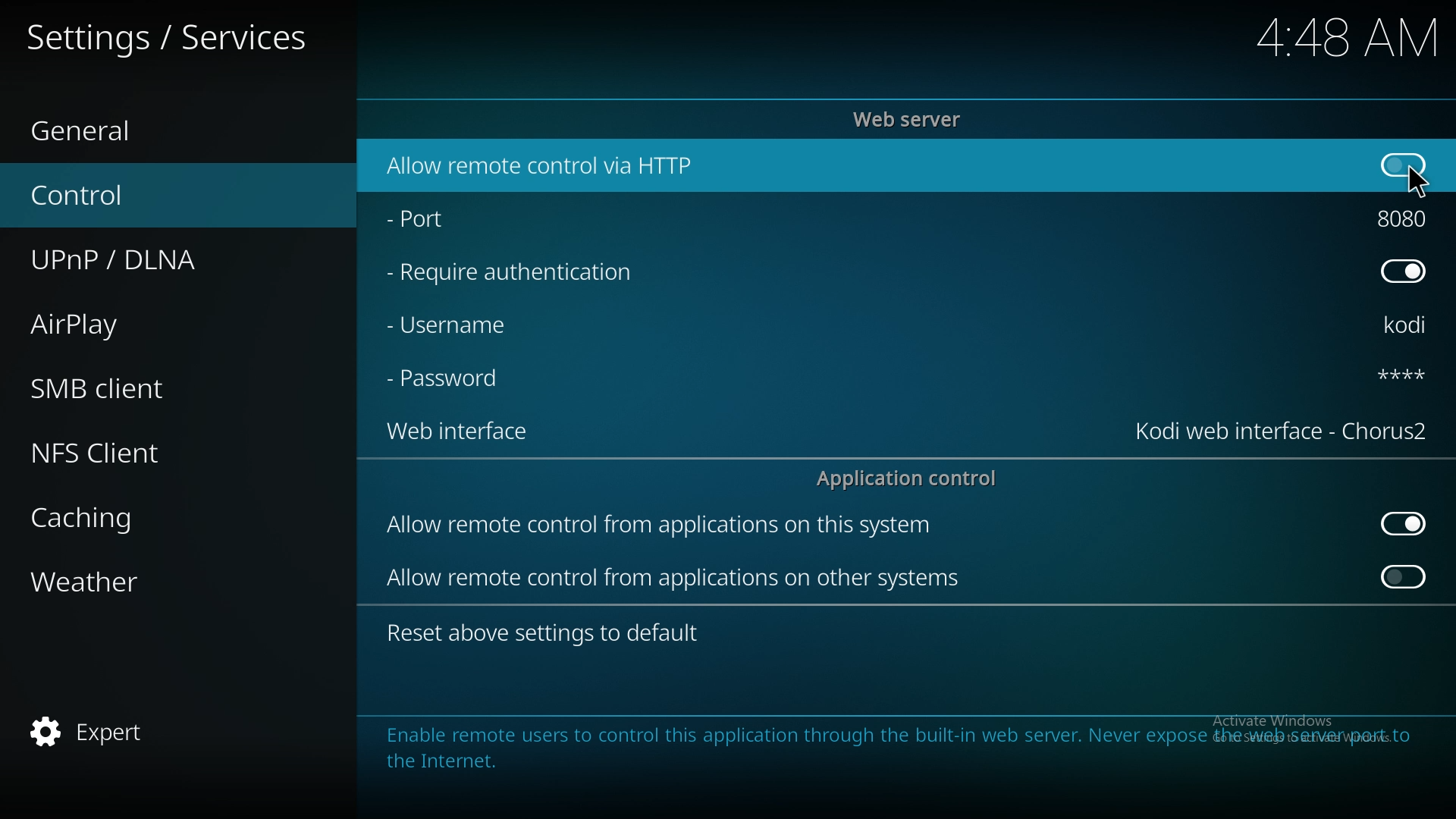 The width and height of the screenshot is (1456, 819). I want to click on expert, so click(100, 733).